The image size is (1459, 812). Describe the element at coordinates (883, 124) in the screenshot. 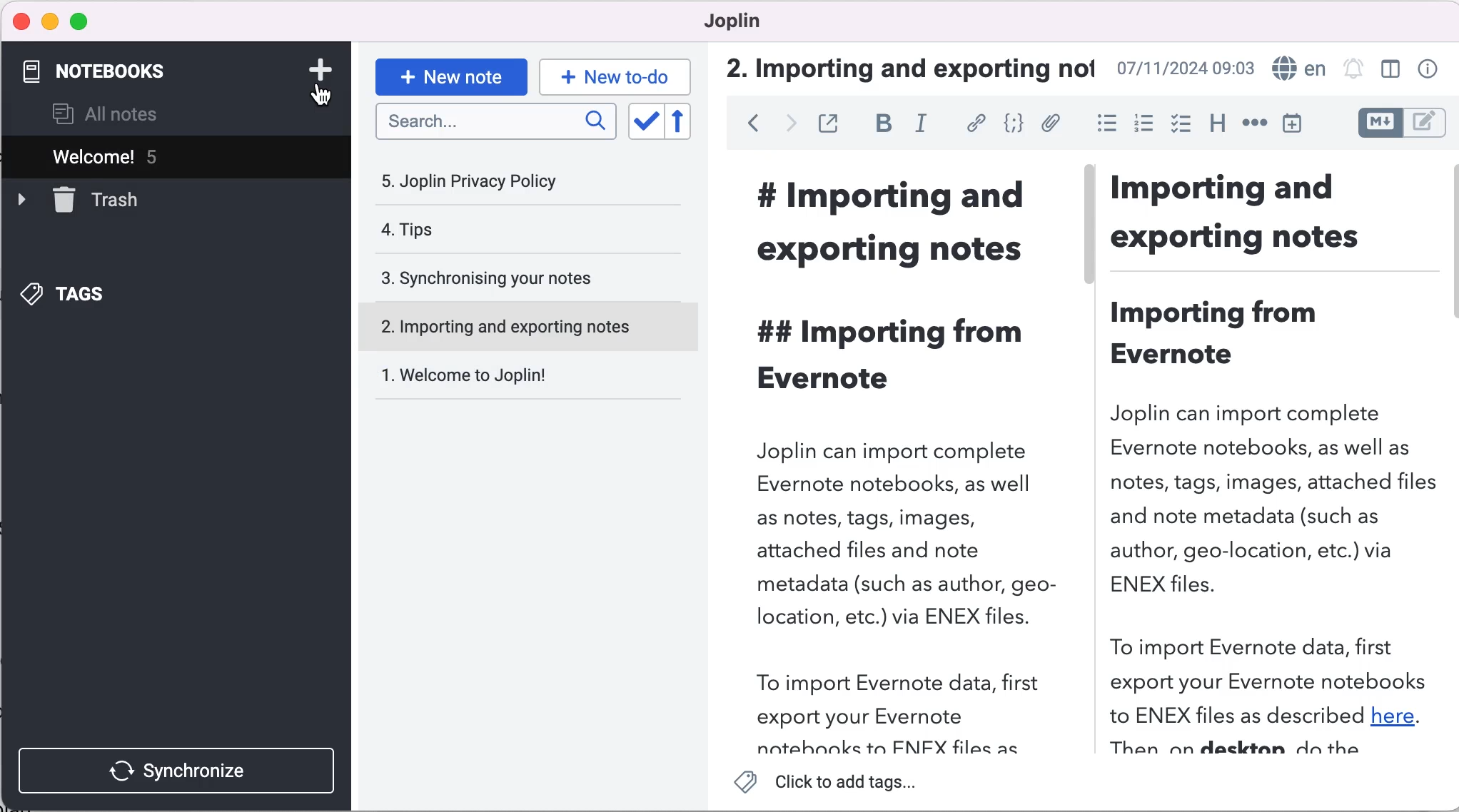

I see `bold` at that location.